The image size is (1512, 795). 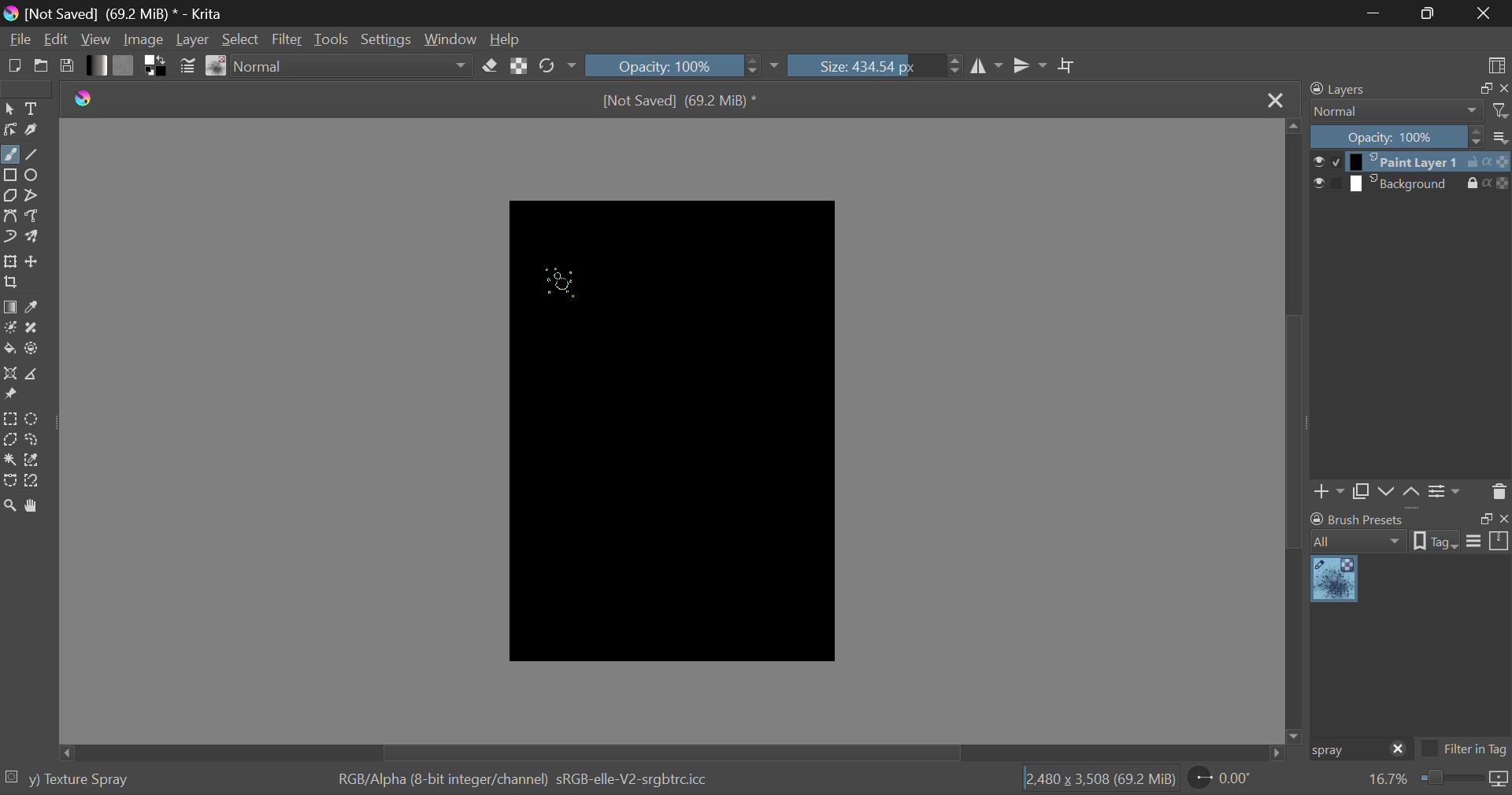 I want to click on Close, so click(x=1275, y=102).